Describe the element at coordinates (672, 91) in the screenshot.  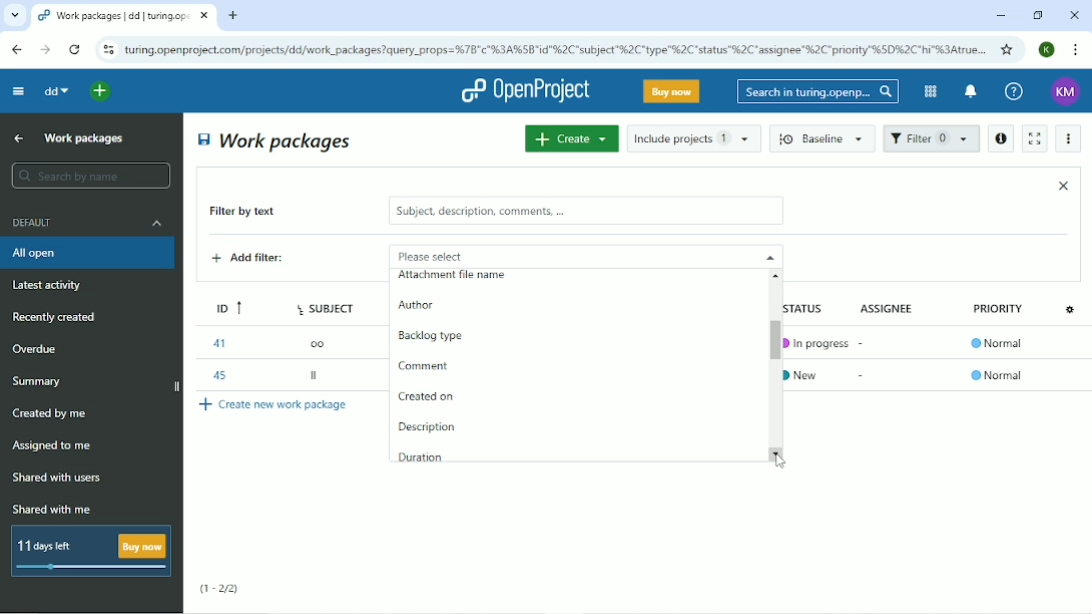
I see `Buy now` at that location.